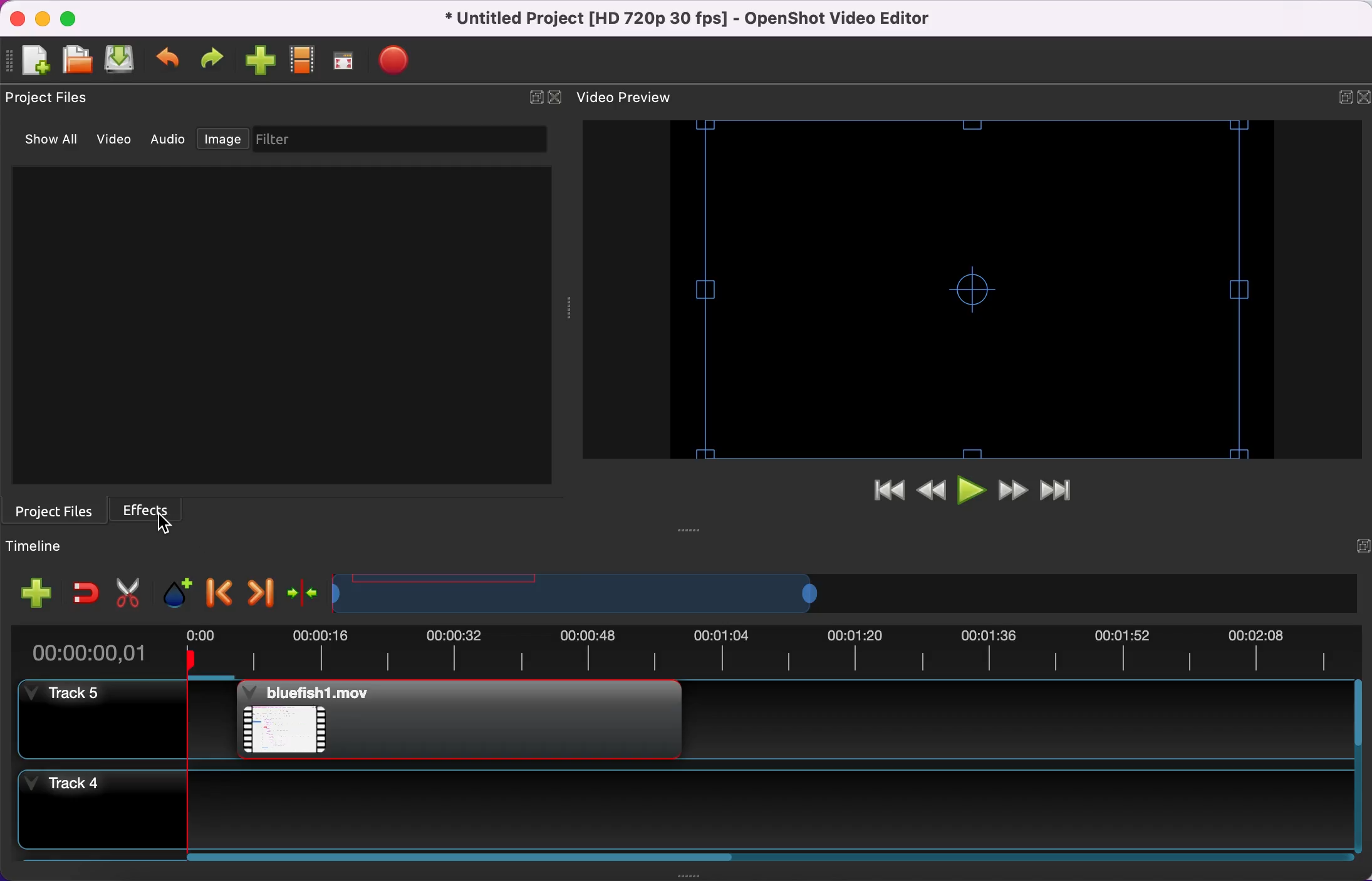 This screenshot has width=1372, height=881. Describe the element at coordinates (34, 63) in the screenshot. I see `add new file` at that location.